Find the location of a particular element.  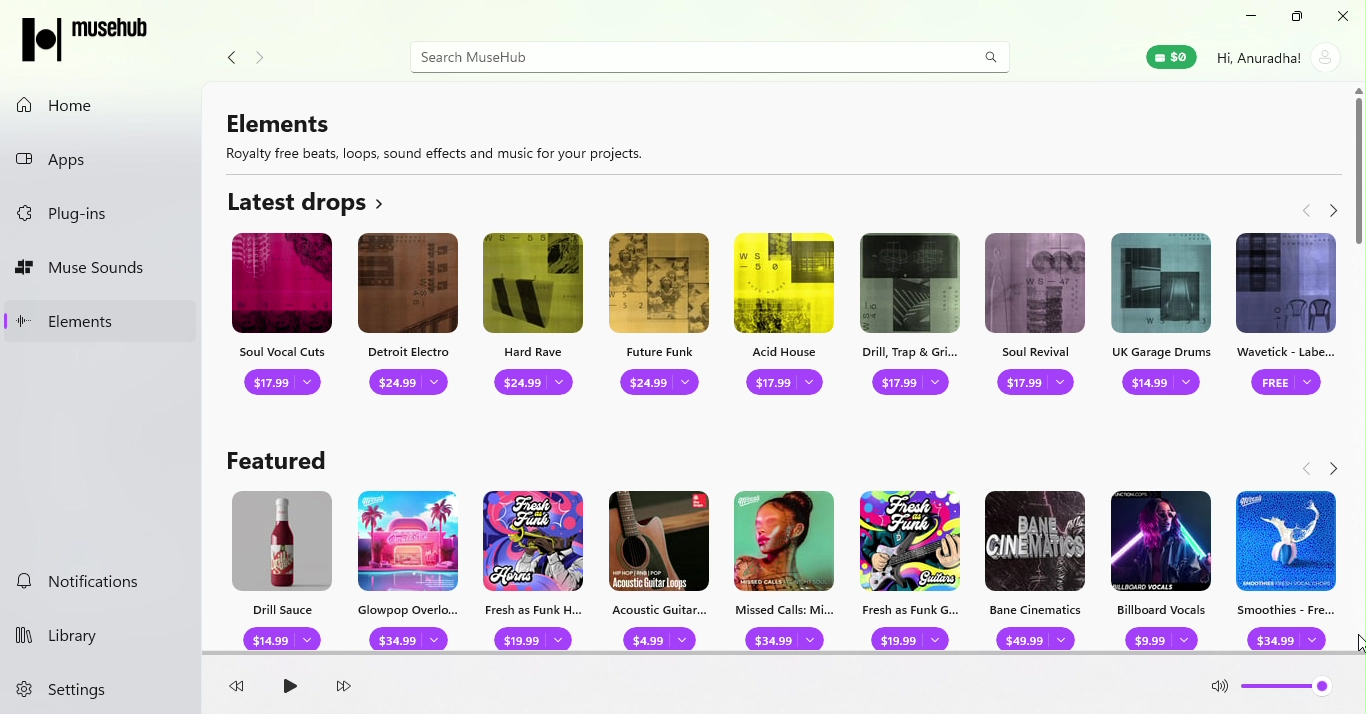

Featured is located at coordinates (279, 454).